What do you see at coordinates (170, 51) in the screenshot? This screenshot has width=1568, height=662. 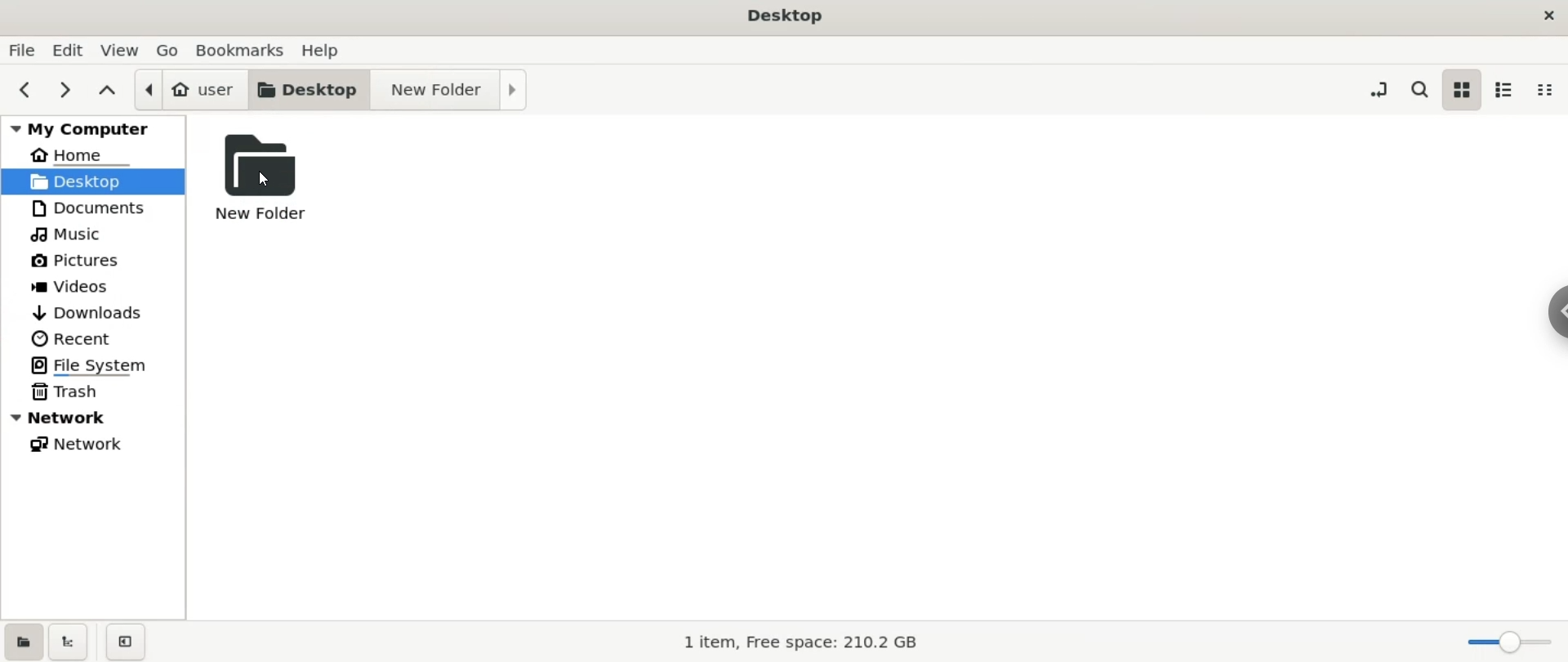 I see `go` at bounding box center [170, 51].